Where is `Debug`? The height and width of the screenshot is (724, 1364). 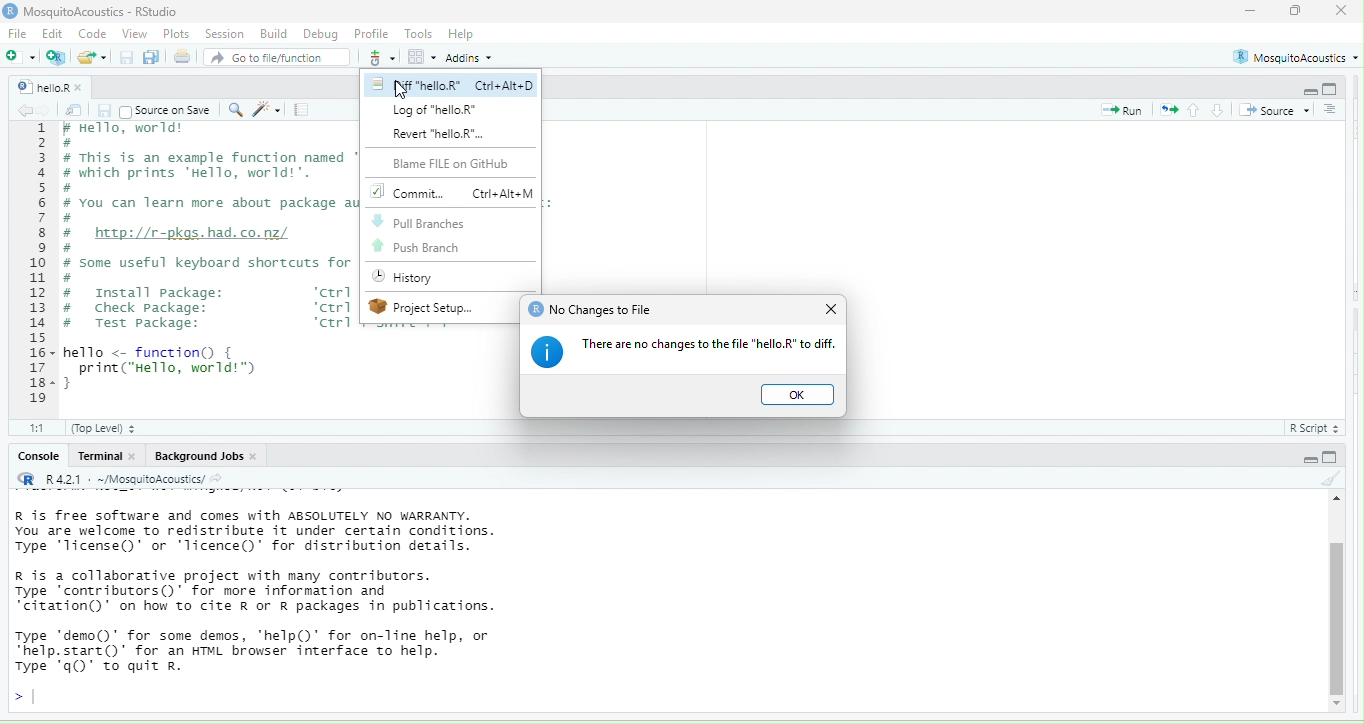
Debug is located at coordinates (318, 34).